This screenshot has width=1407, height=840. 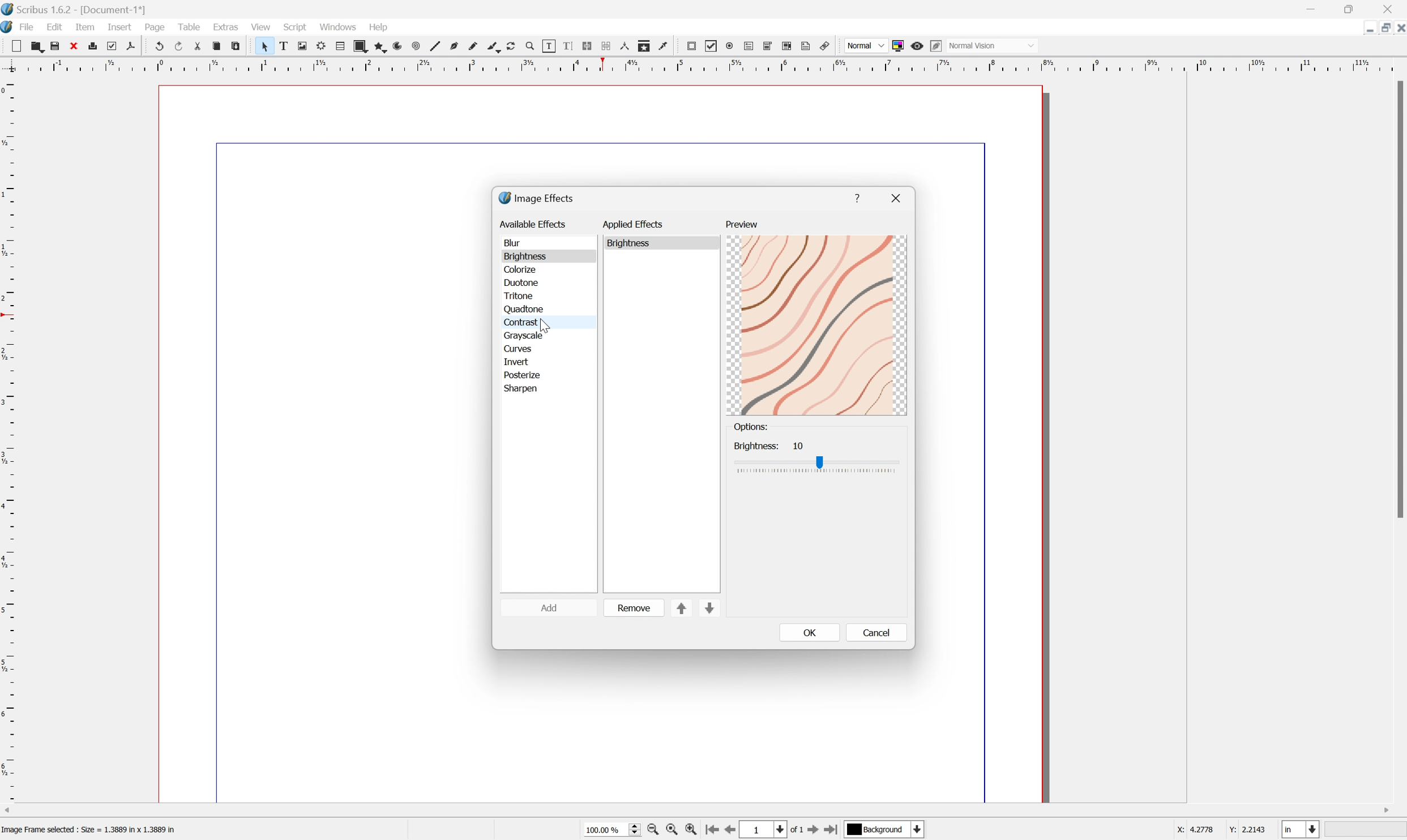 I want to click on Brightness: 10, so click(x=768, y=446).